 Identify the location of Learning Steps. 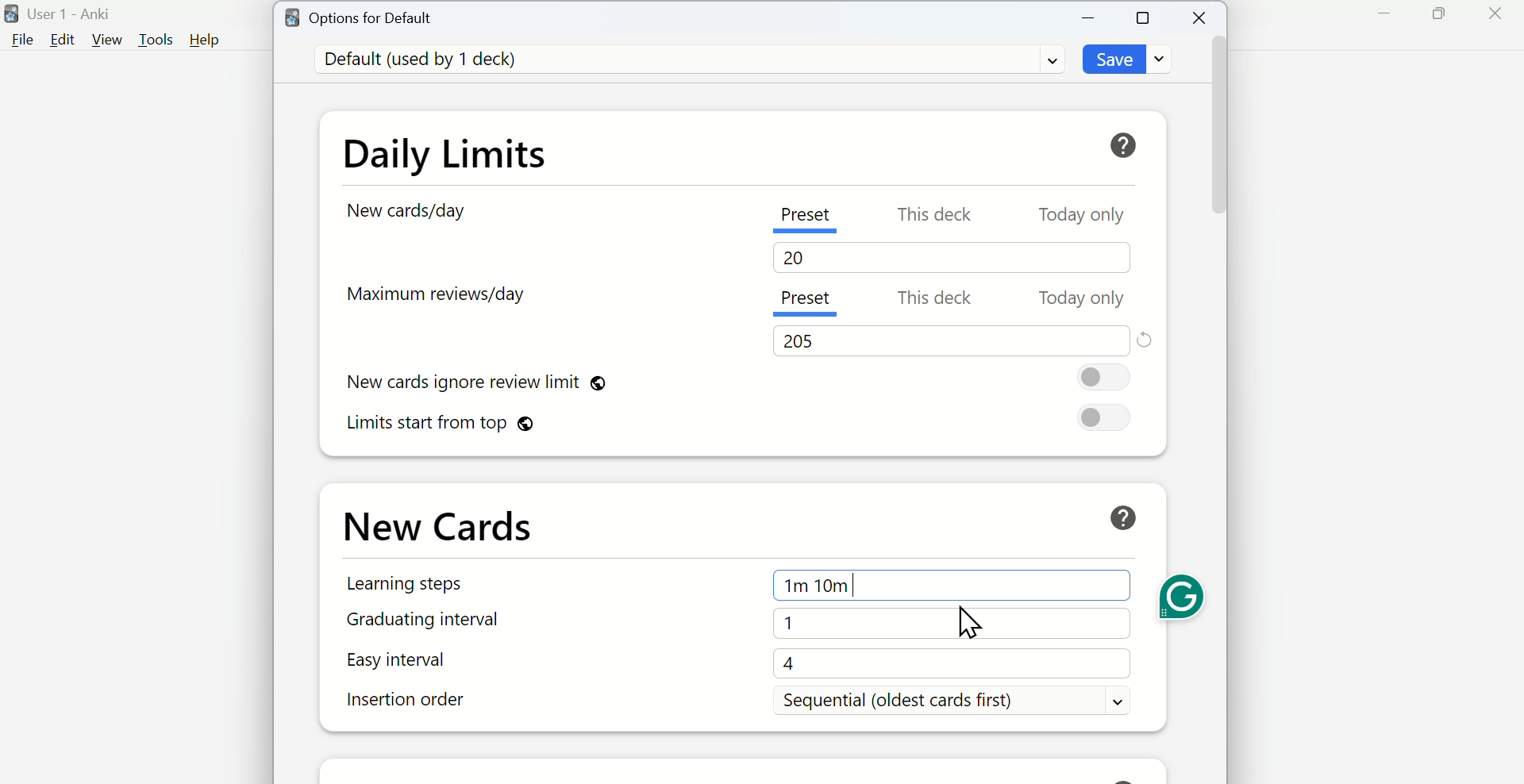
(407, 587).